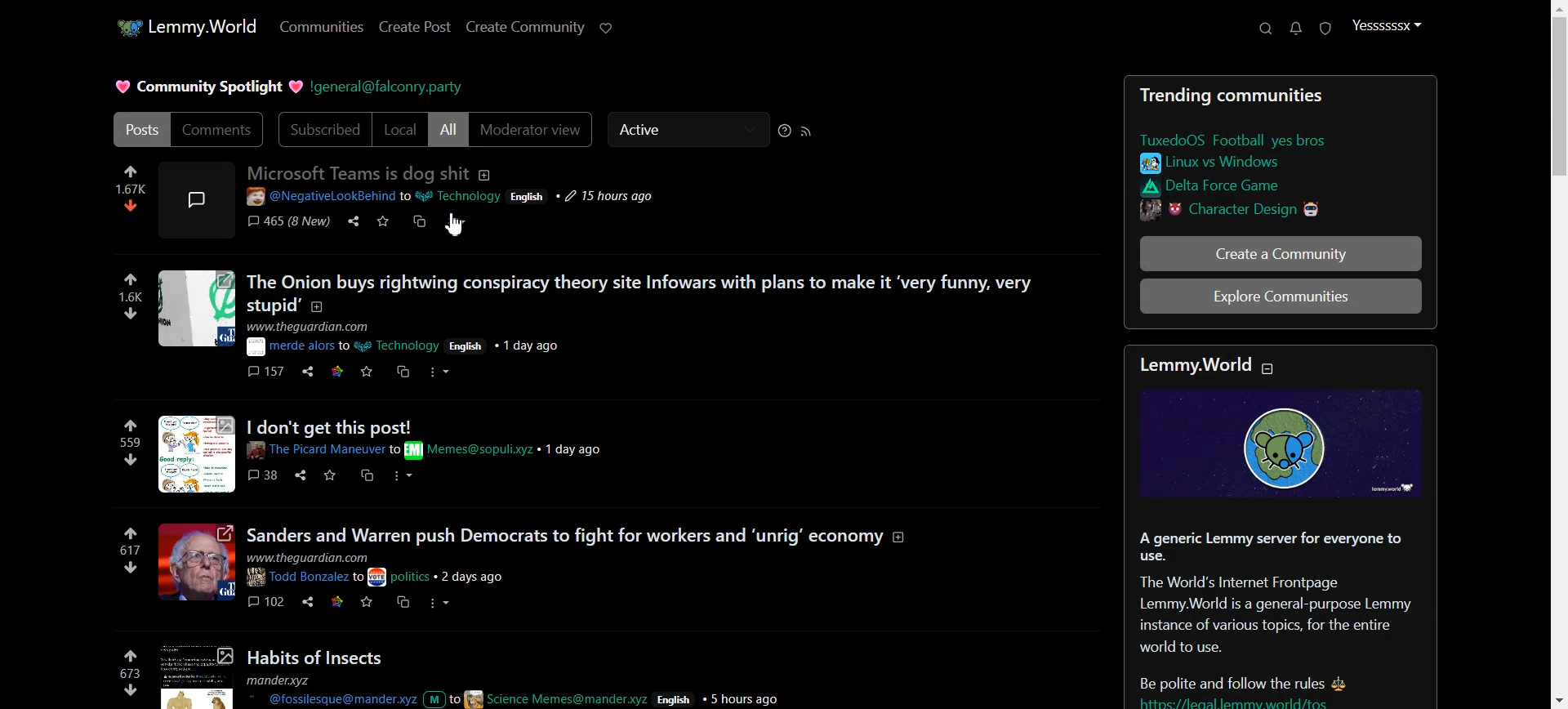 The width and height of the screenshot is (1568, 709). Describe the element at coordinates (425, 439) in the screenshot. I see `` at that location.